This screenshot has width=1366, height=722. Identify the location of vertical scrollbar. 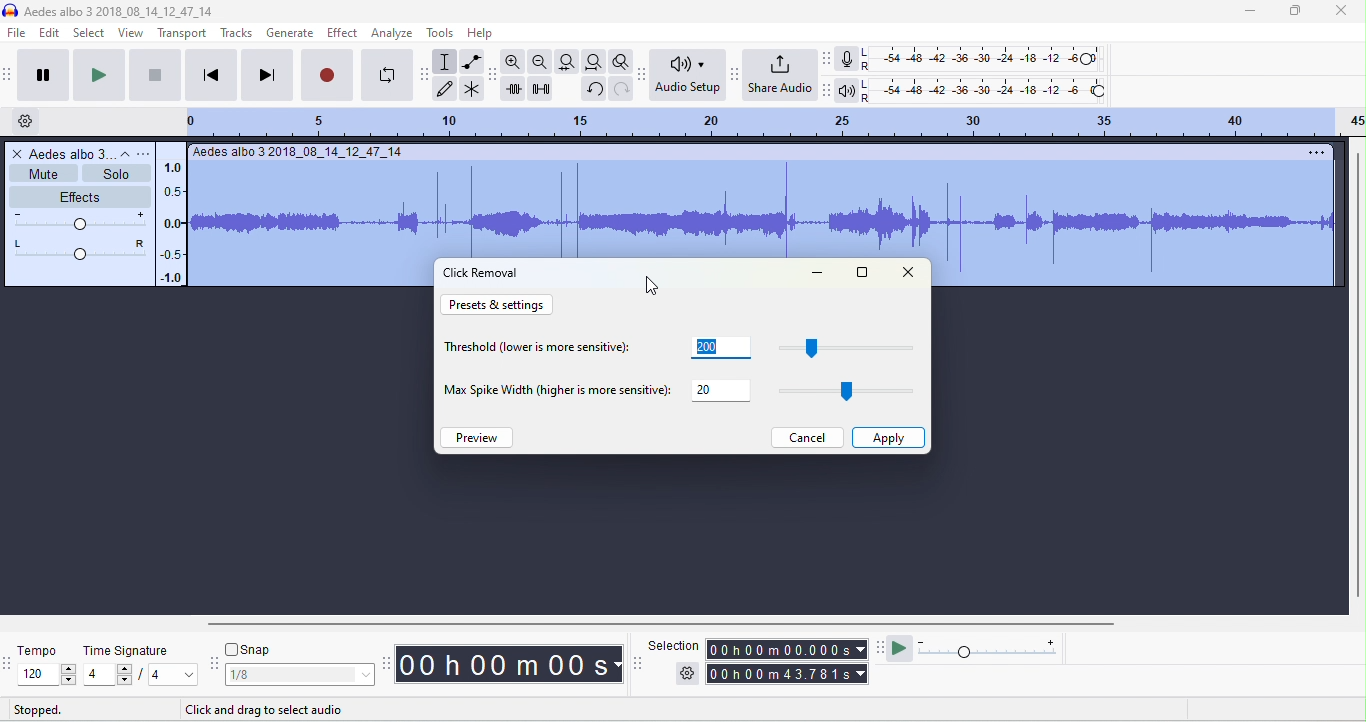
(1357, 375).